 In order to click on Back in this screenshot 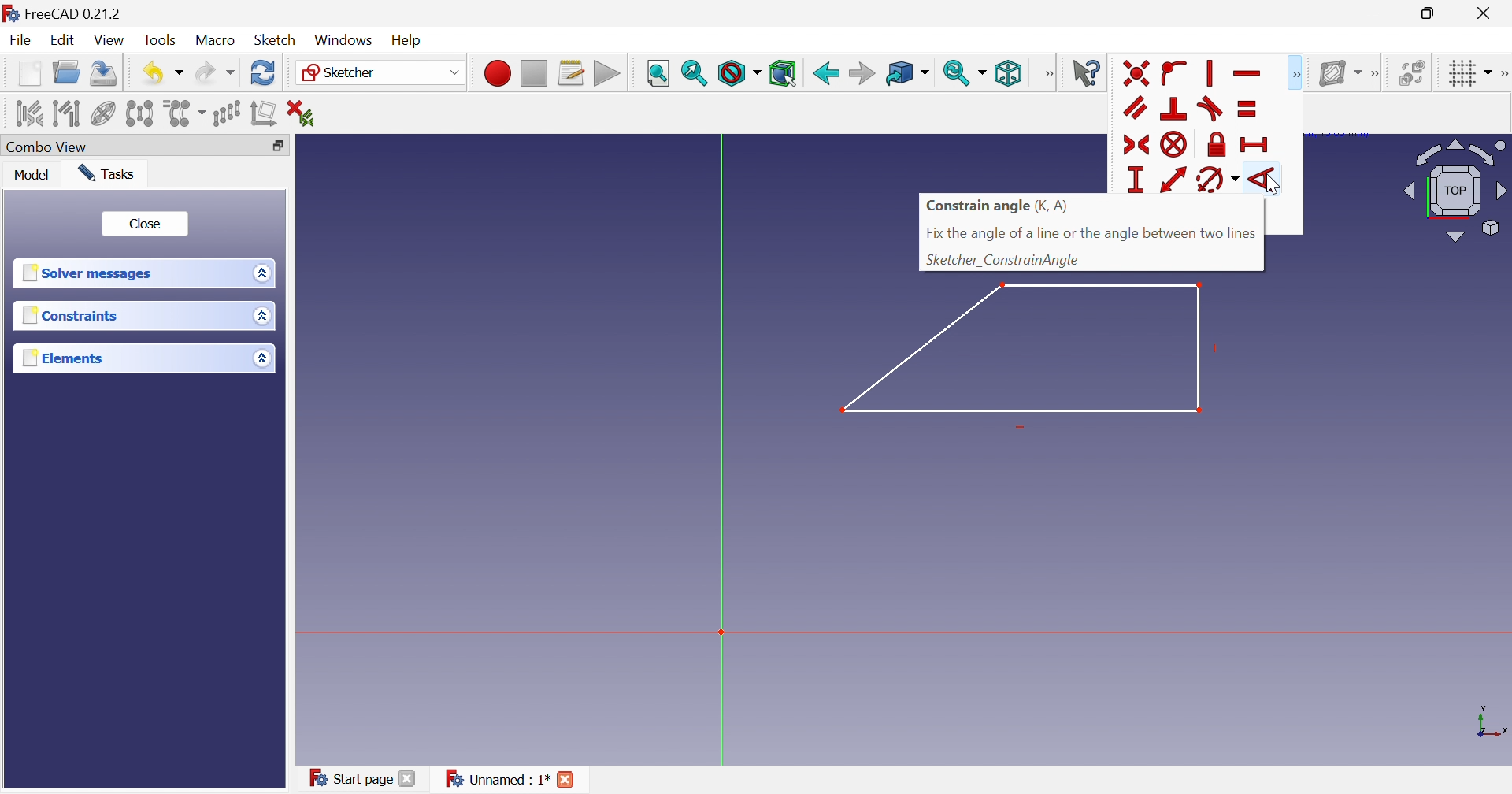, I will do `click(825, 72)`.